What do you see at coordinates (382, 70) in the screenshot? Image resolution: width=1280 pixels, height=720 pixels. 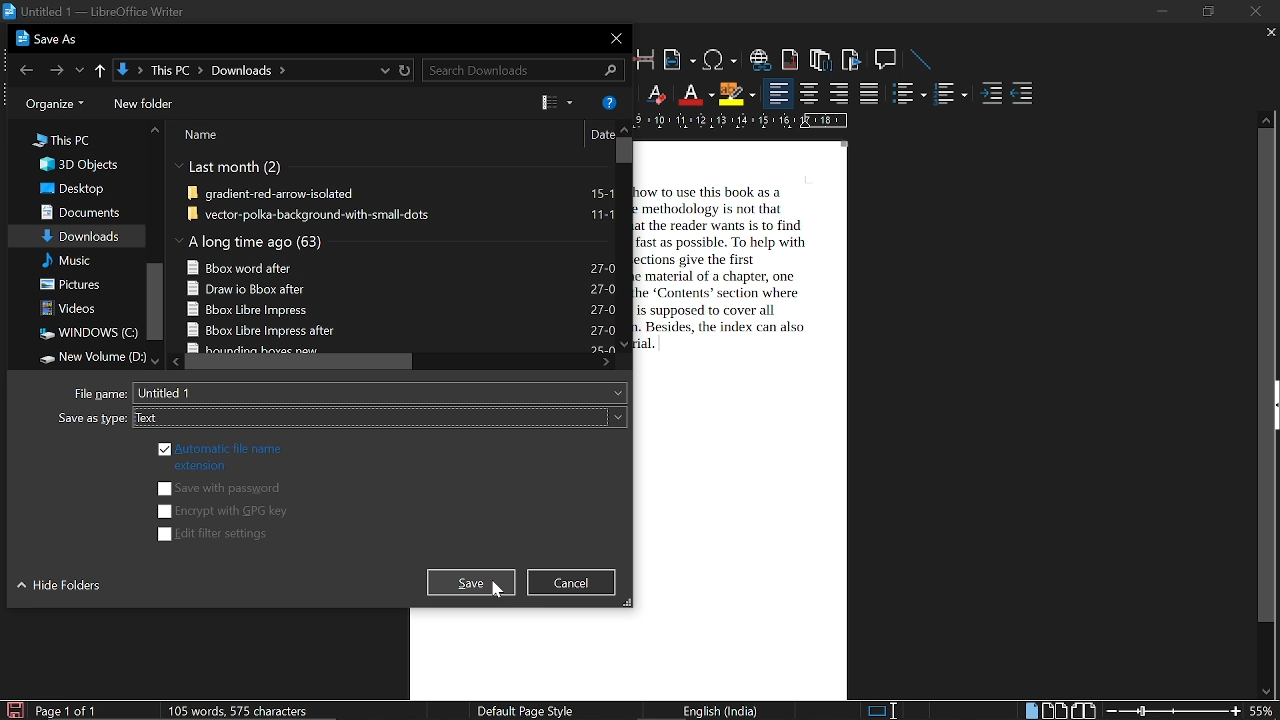 I see `recent location` at bounding box center [382, 70].